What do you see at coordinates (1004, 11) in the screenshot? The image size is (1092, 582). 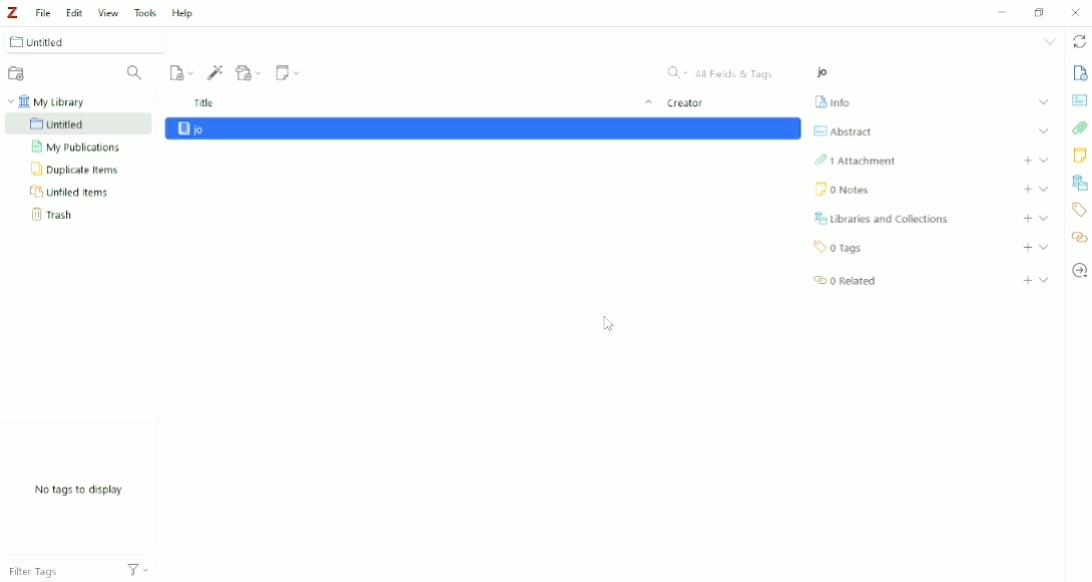 I see `Minimize` at bounding box center [1004, 11].